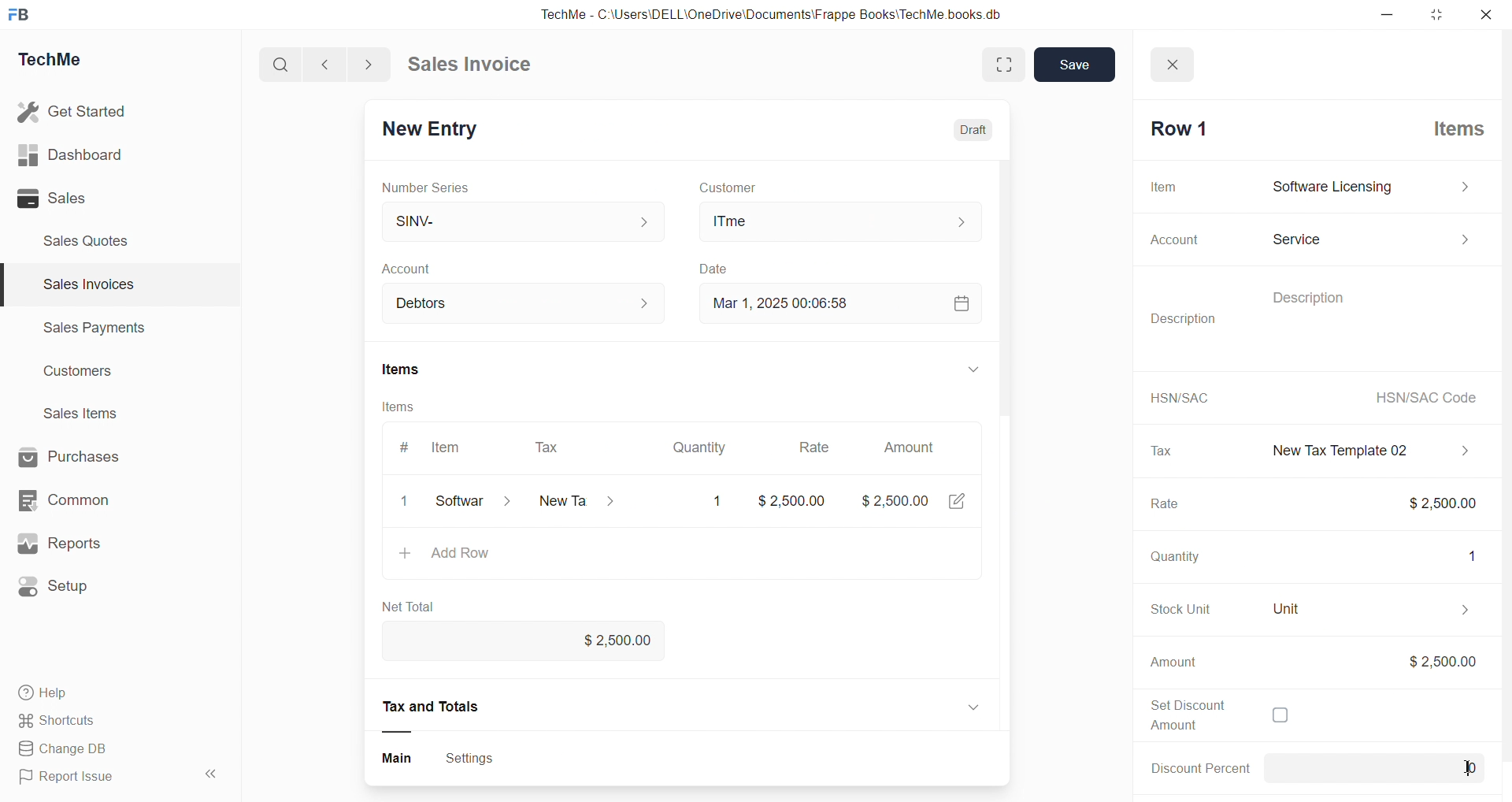  I want to click on  Shortcuts, so click(63, 722).